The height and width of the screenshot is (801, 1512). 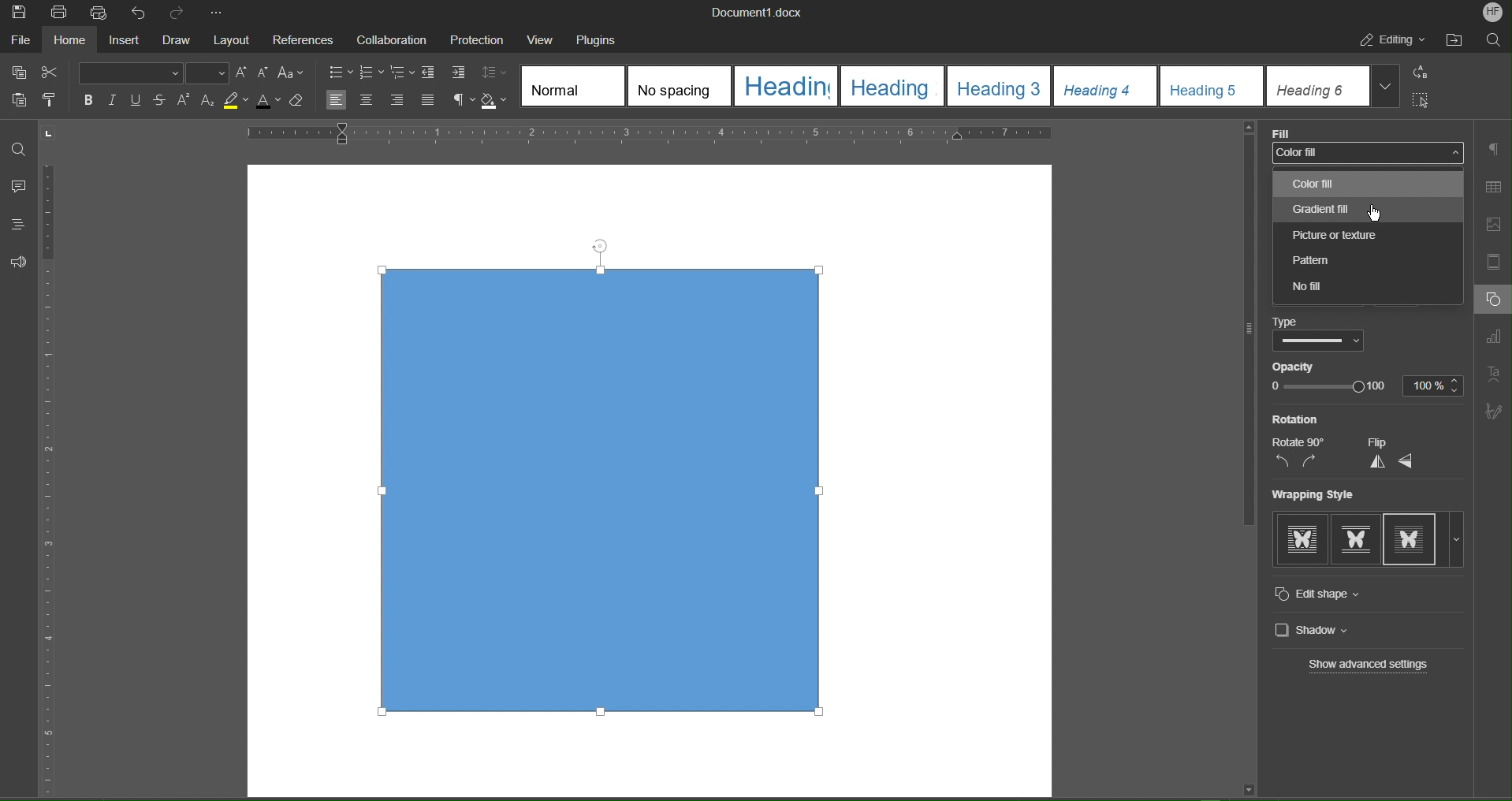 What do you see at coordinates (1318, 87) in the screenshot?
I see `Heading 6` at bounding box center [1318, 87].